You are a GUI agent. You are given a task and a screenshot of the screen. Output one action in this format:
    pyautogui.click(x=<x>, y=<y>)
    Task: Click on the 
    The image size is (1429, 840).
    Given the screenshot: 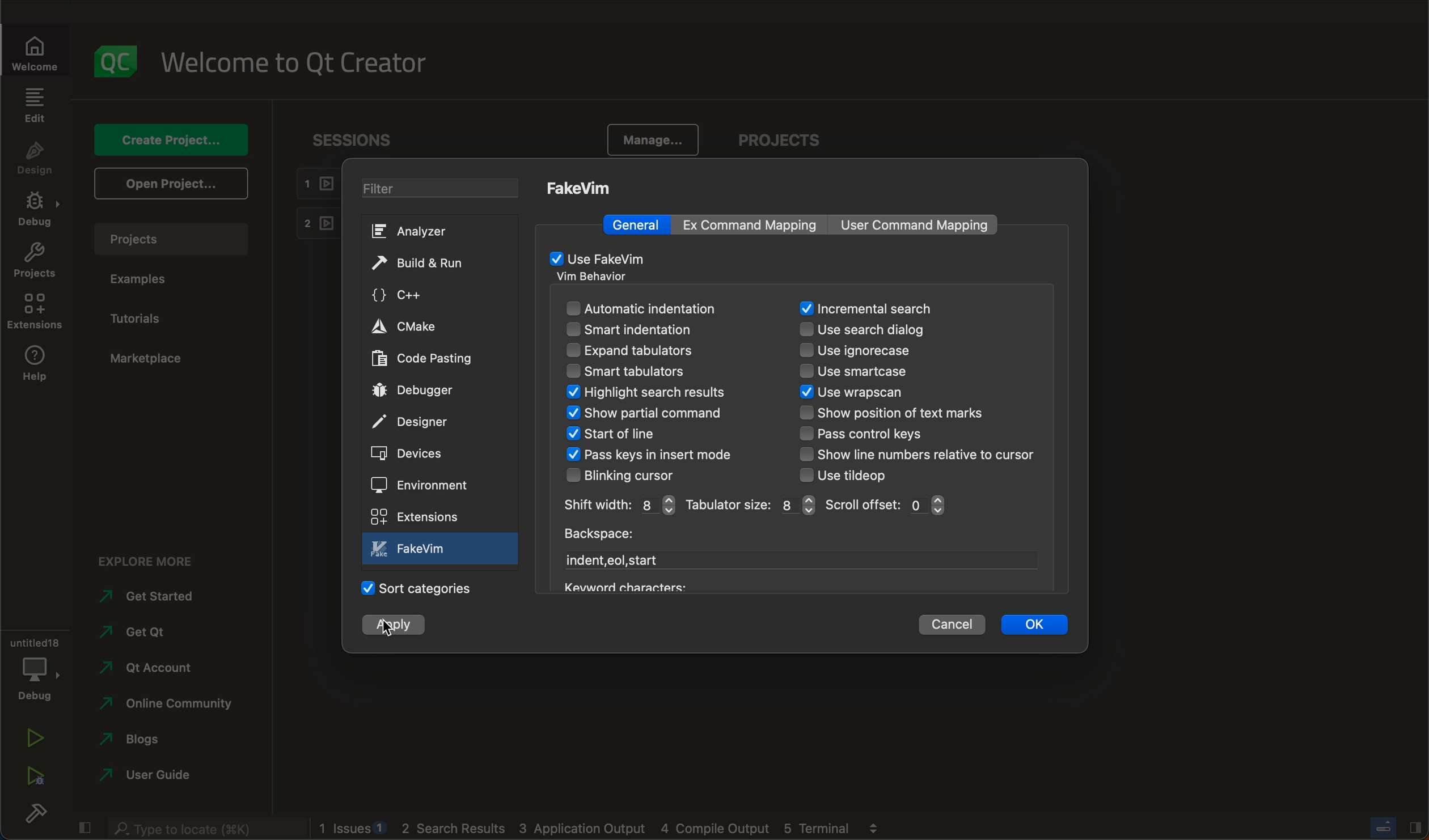 What is the action you would take?
    pyautogui.click(x=714, y=826)
    